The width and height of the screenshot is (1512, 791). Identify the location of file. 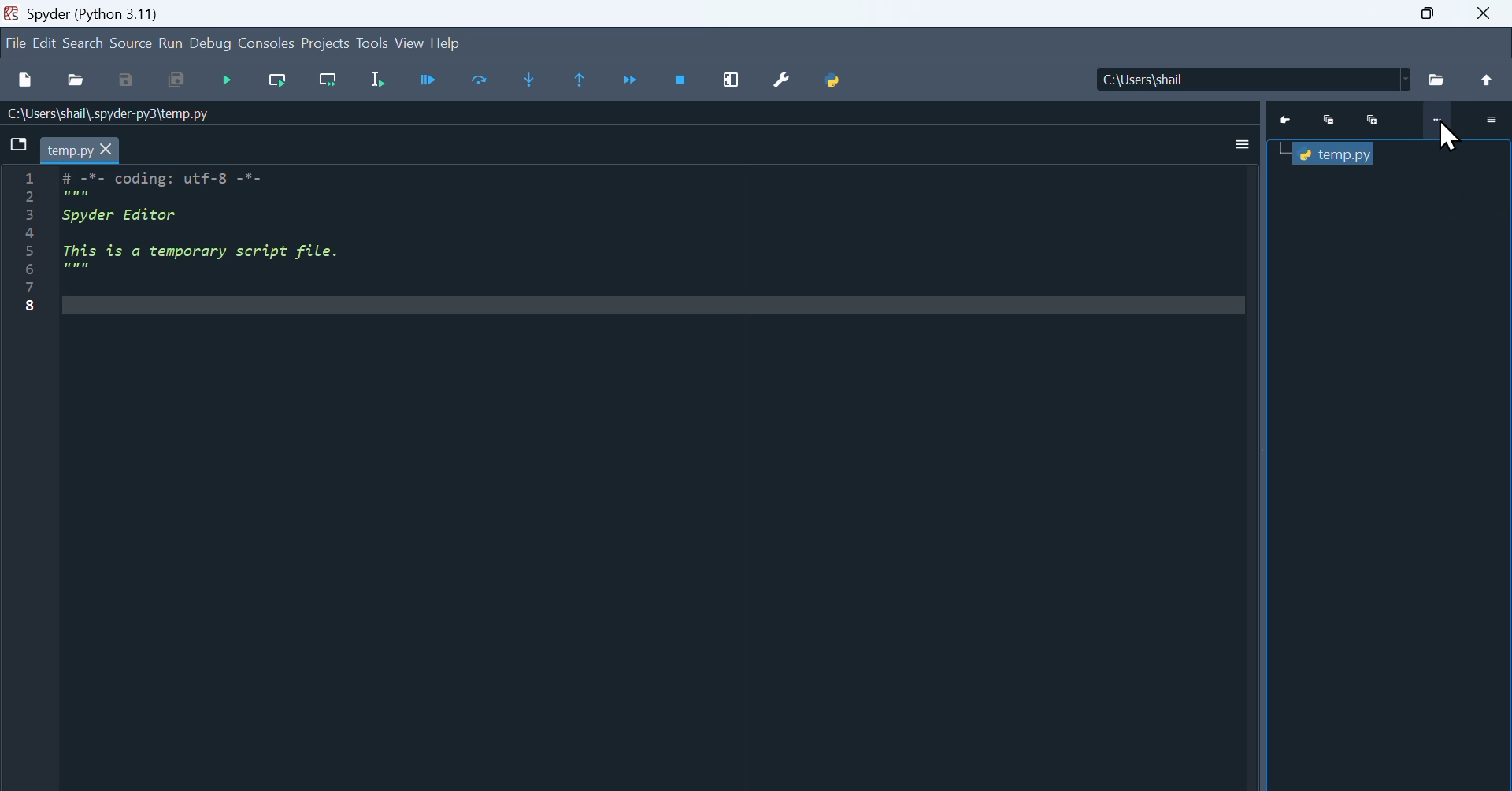
(15, 45).